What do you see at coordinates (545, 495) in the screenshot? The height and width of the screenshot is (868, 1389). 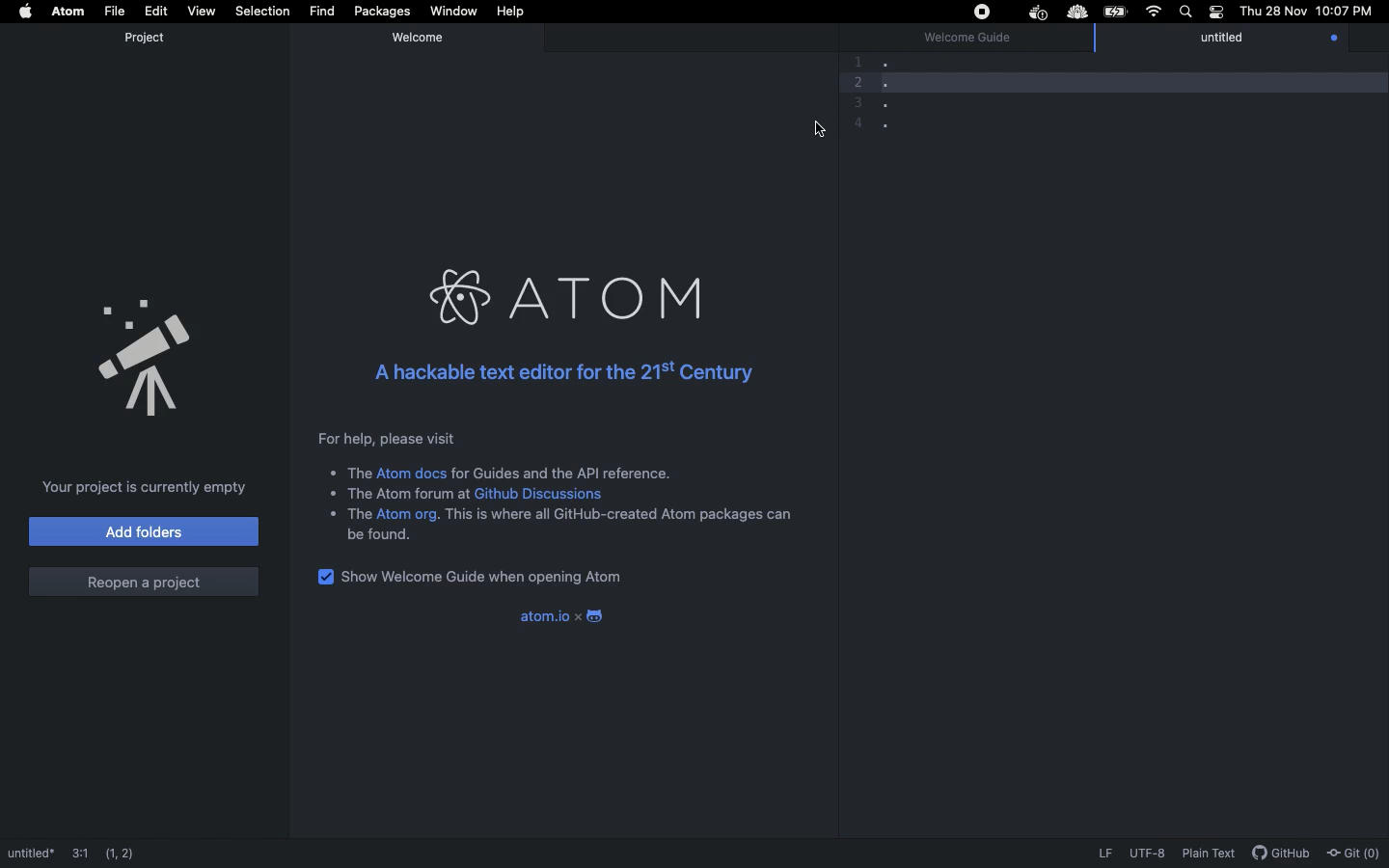 I see `Github Discussion` at bounding box center [545, 495].